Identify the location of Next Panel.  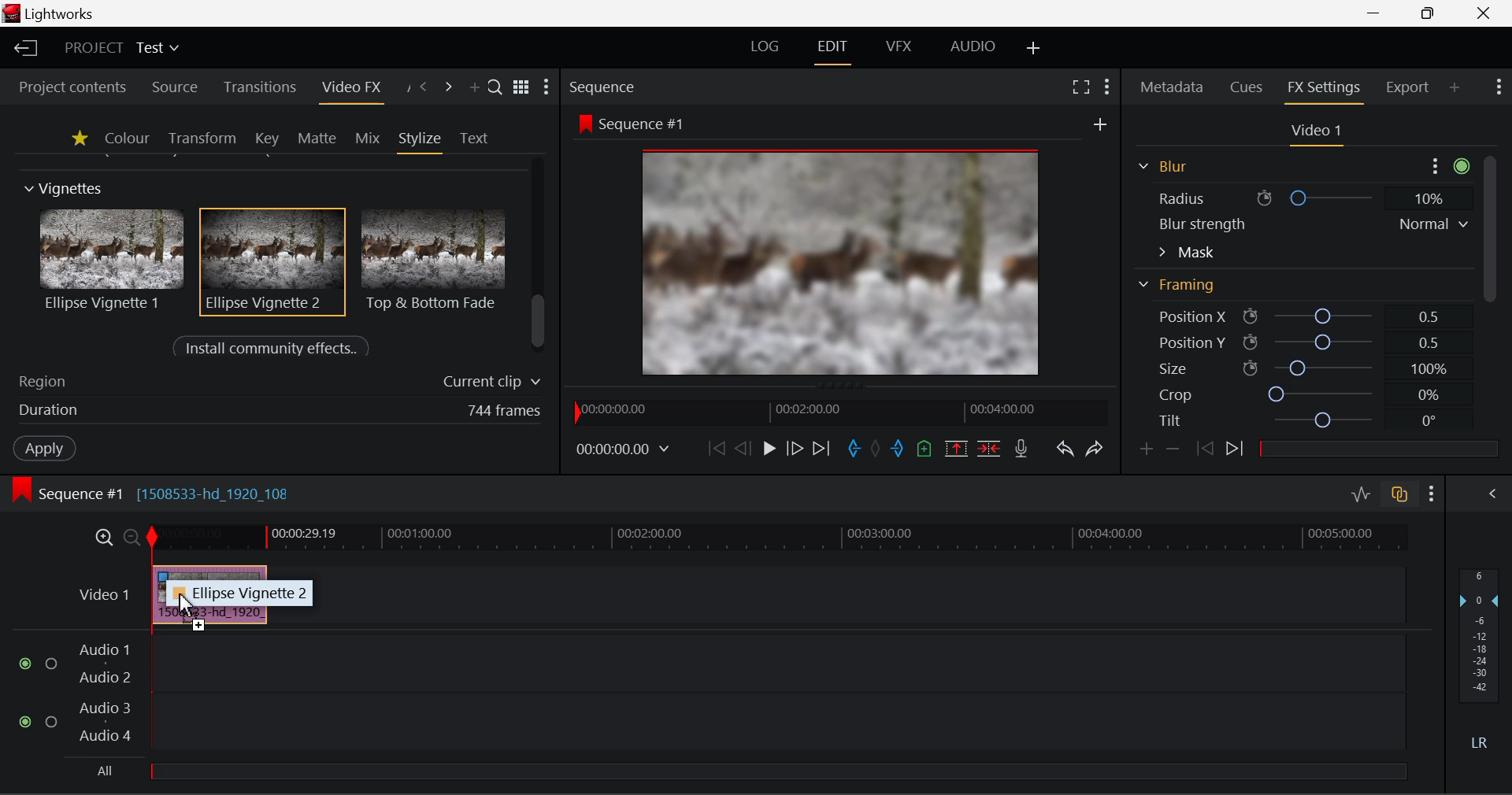
(449, 87).